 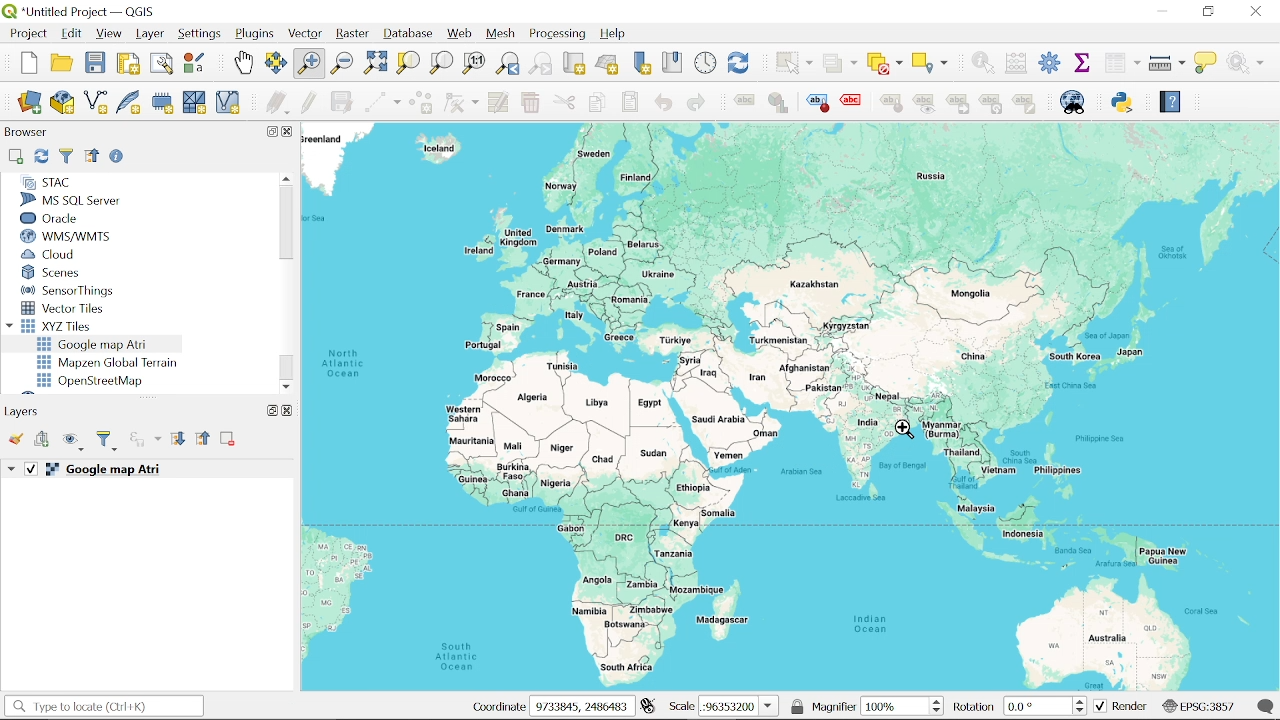 I want to click on Style manager, so click(x=195, y=63).